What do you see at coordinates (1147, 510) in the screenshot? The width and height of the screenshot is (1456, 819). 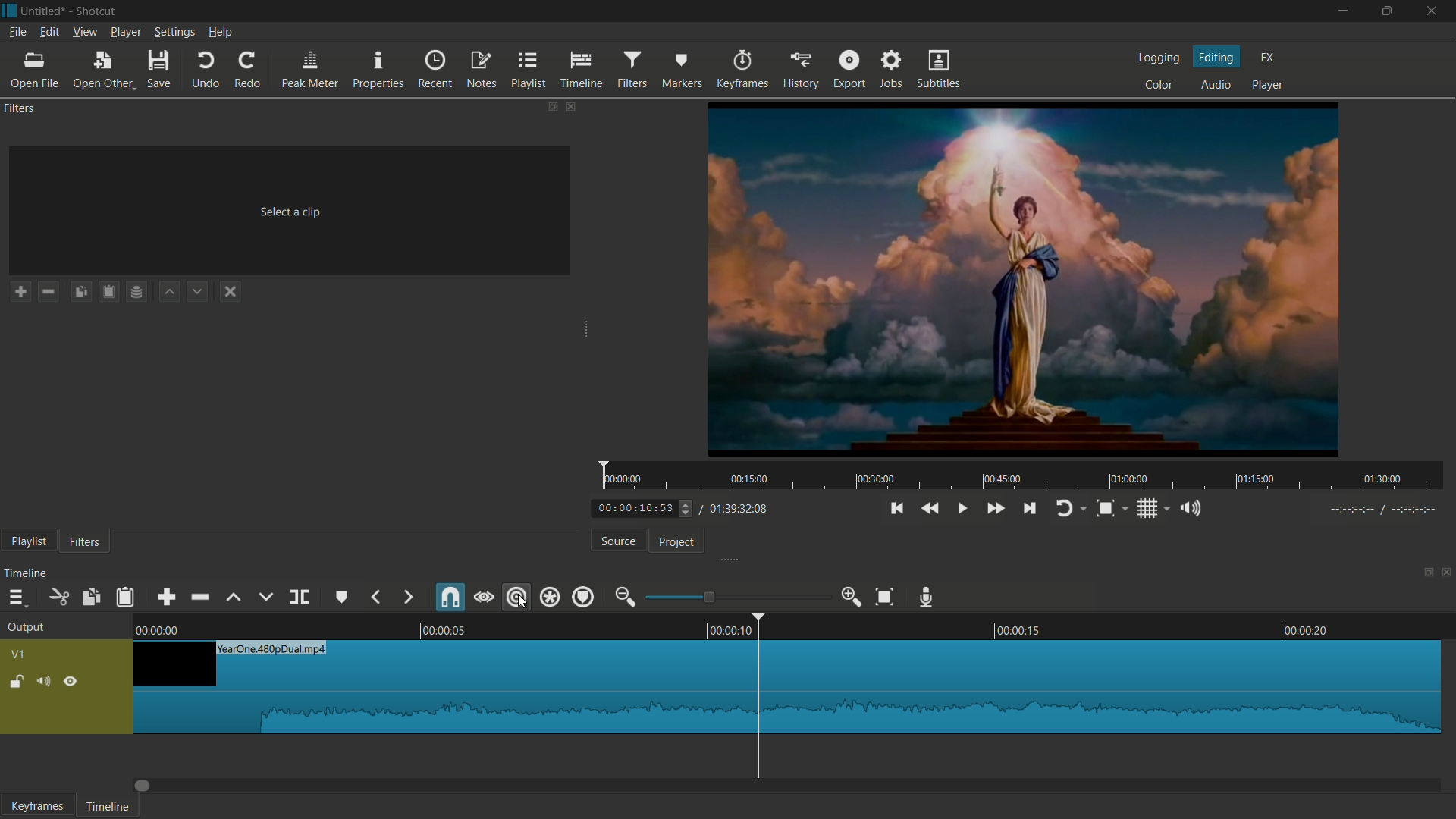 I see `toggle grid` at bounding box center [1147, 510].